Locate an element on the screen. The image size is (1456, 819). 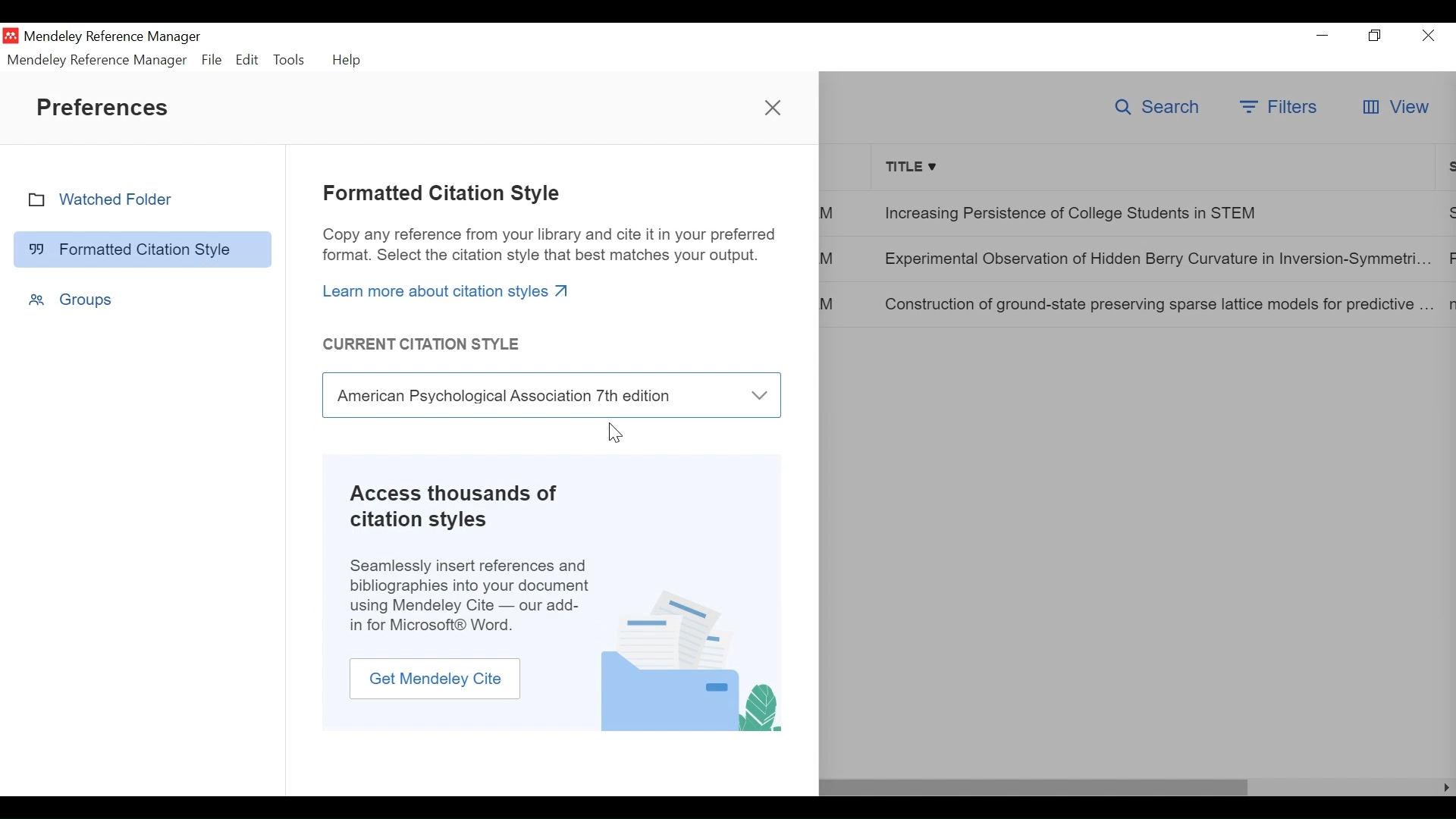
View is located at coordinates (1395, 108).